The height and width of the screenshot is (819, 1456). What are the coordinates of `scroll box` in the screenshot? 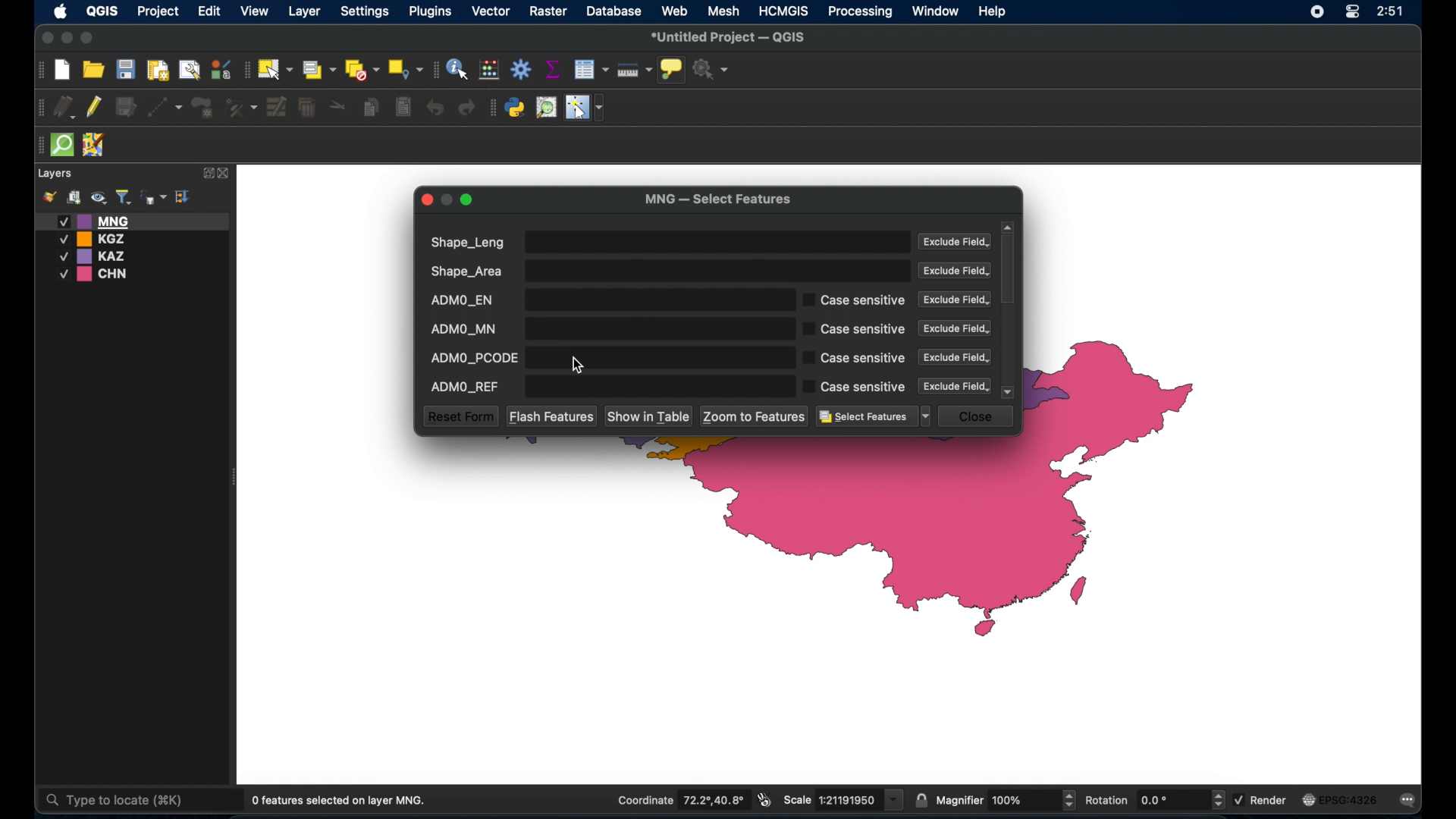 It's located at (1010, 271).